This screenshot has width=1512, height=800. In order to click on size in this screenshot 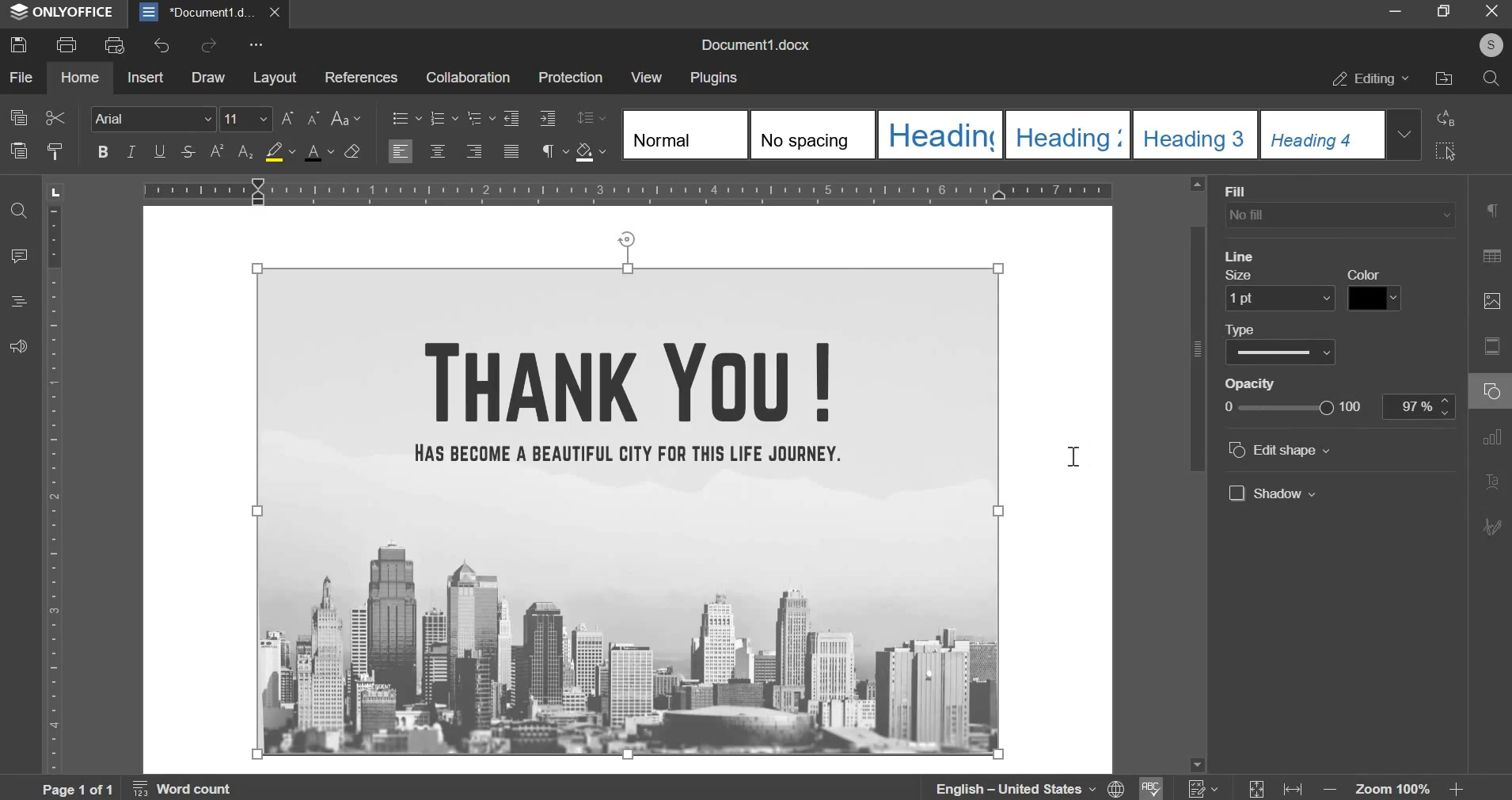, I will do `click(1282, 292)`.